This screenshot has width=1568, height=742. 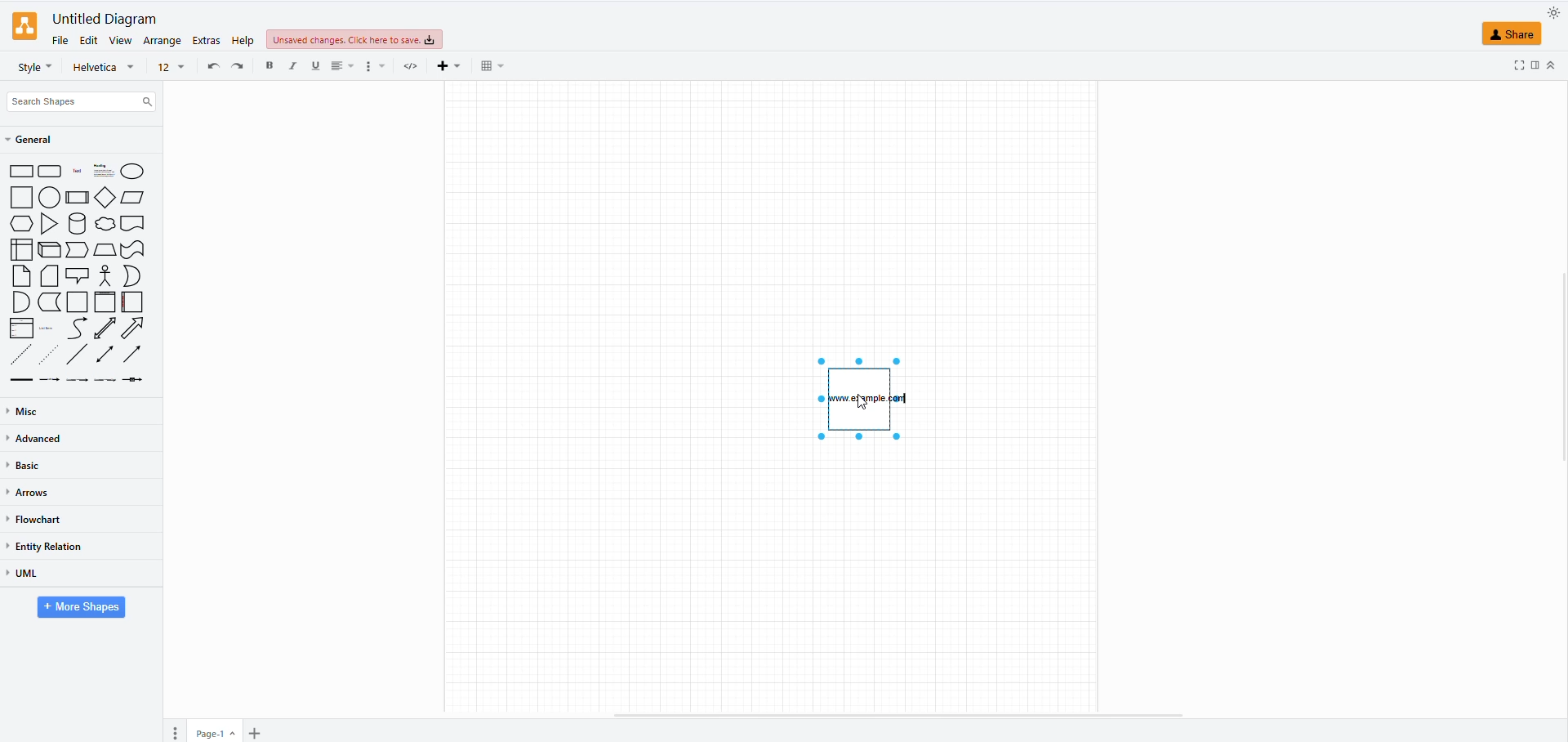 I want to click on circle, so click(x=49, y=199).